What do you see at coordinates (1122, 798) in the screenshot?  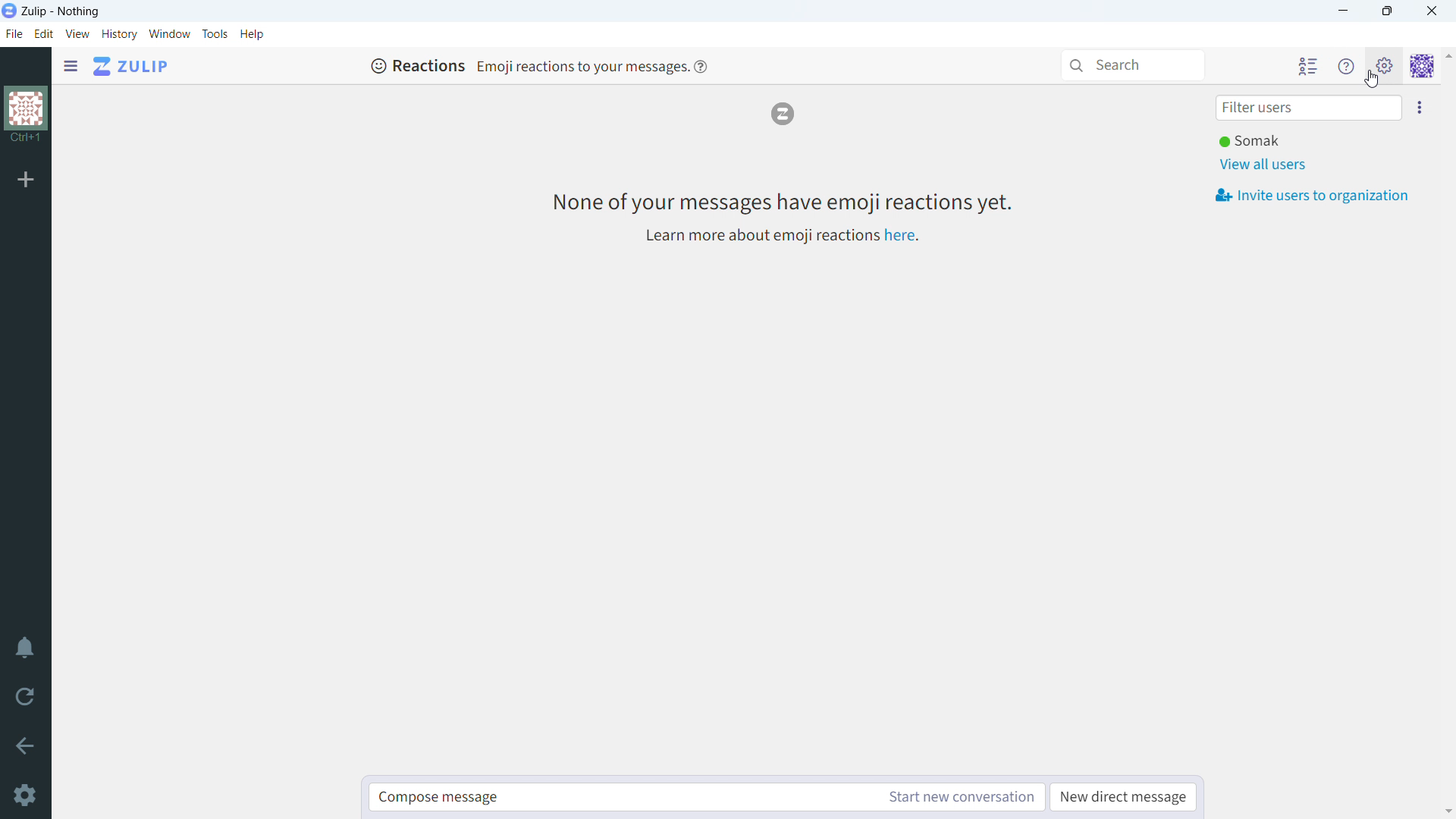 I see `new direct message` at bounding box center [1122, 798].